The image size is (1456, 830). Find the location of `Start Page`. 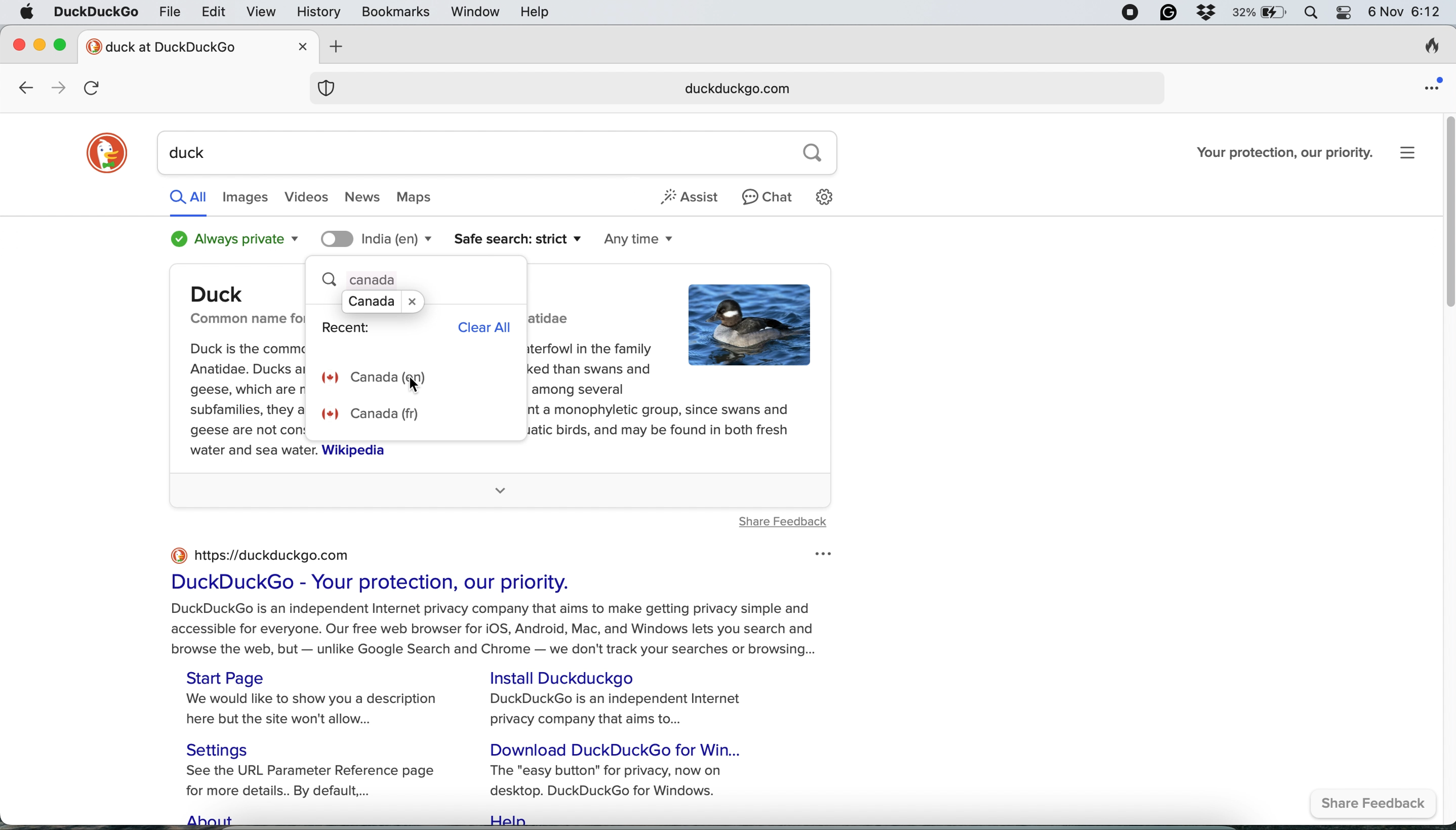

Start Page is located at coordinates (230, 677).